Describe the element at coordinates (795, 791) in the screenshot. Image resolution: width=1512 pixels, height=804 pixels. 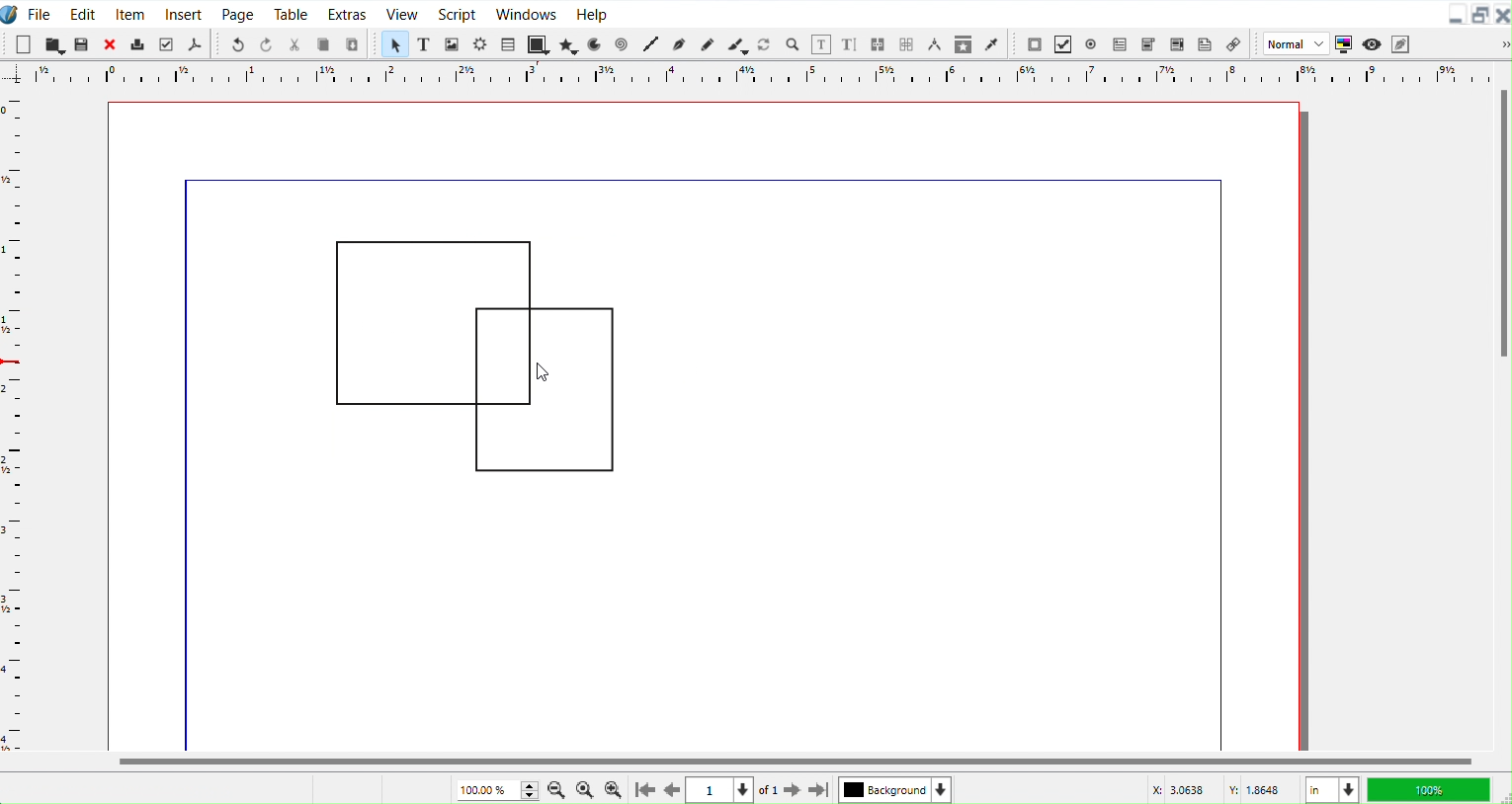
I see `Go to next page` at that location.